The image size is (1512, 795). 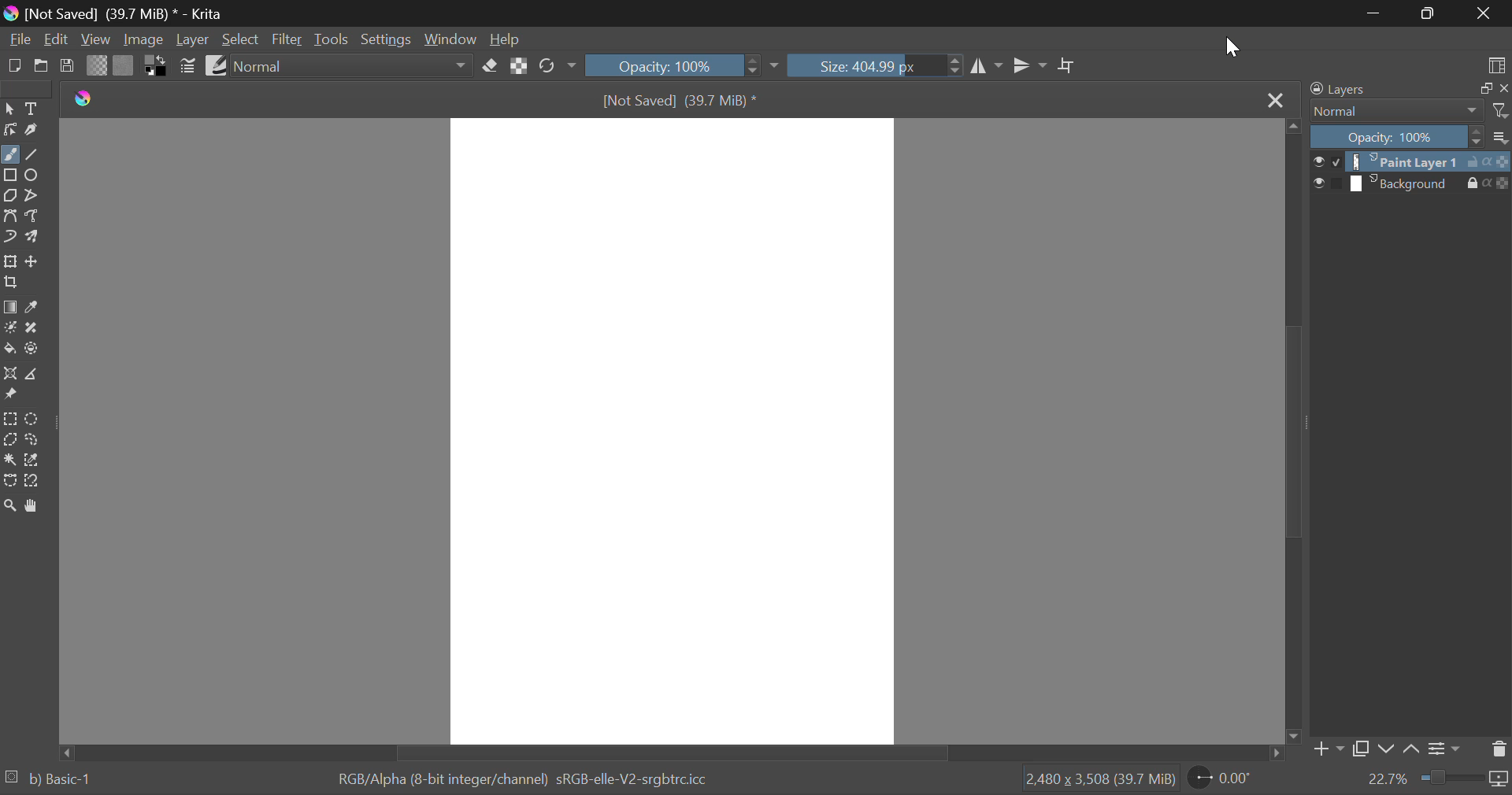 I want to click on Page Rotation, so click(x=1219, y=779).